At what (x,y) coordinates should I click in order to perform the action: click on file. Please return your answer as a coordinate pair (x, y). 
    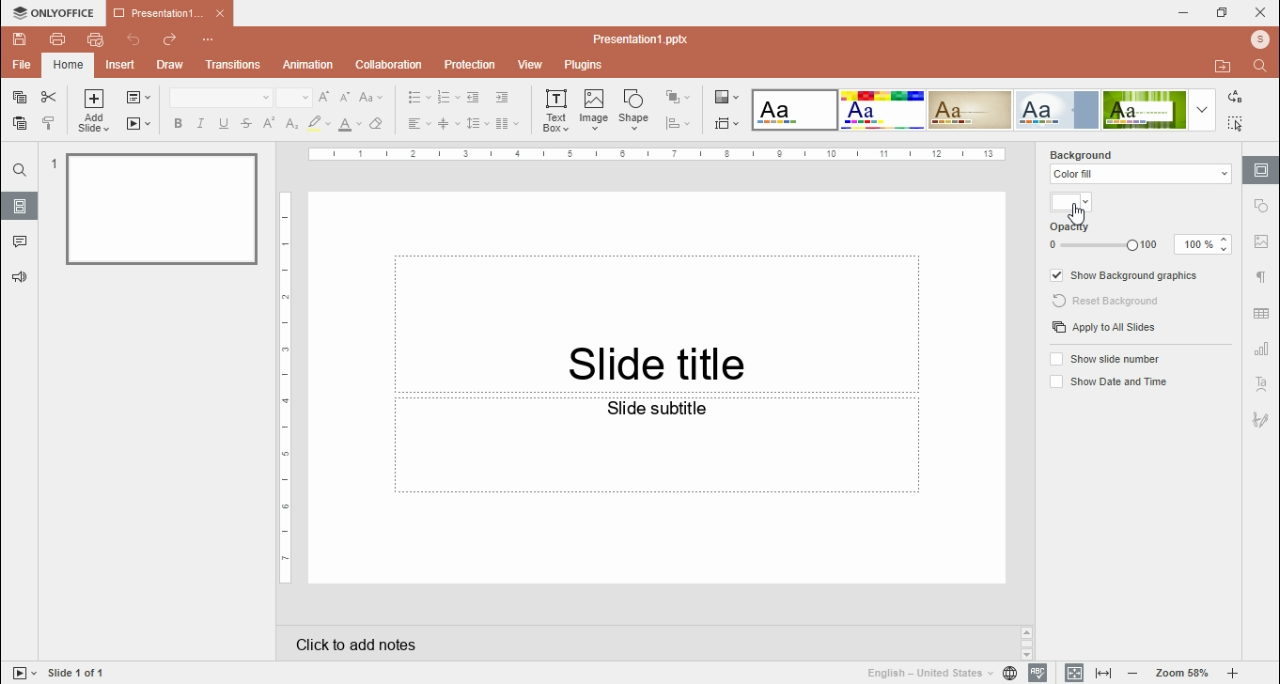
    Looking at the image, I should click on (21, 65).